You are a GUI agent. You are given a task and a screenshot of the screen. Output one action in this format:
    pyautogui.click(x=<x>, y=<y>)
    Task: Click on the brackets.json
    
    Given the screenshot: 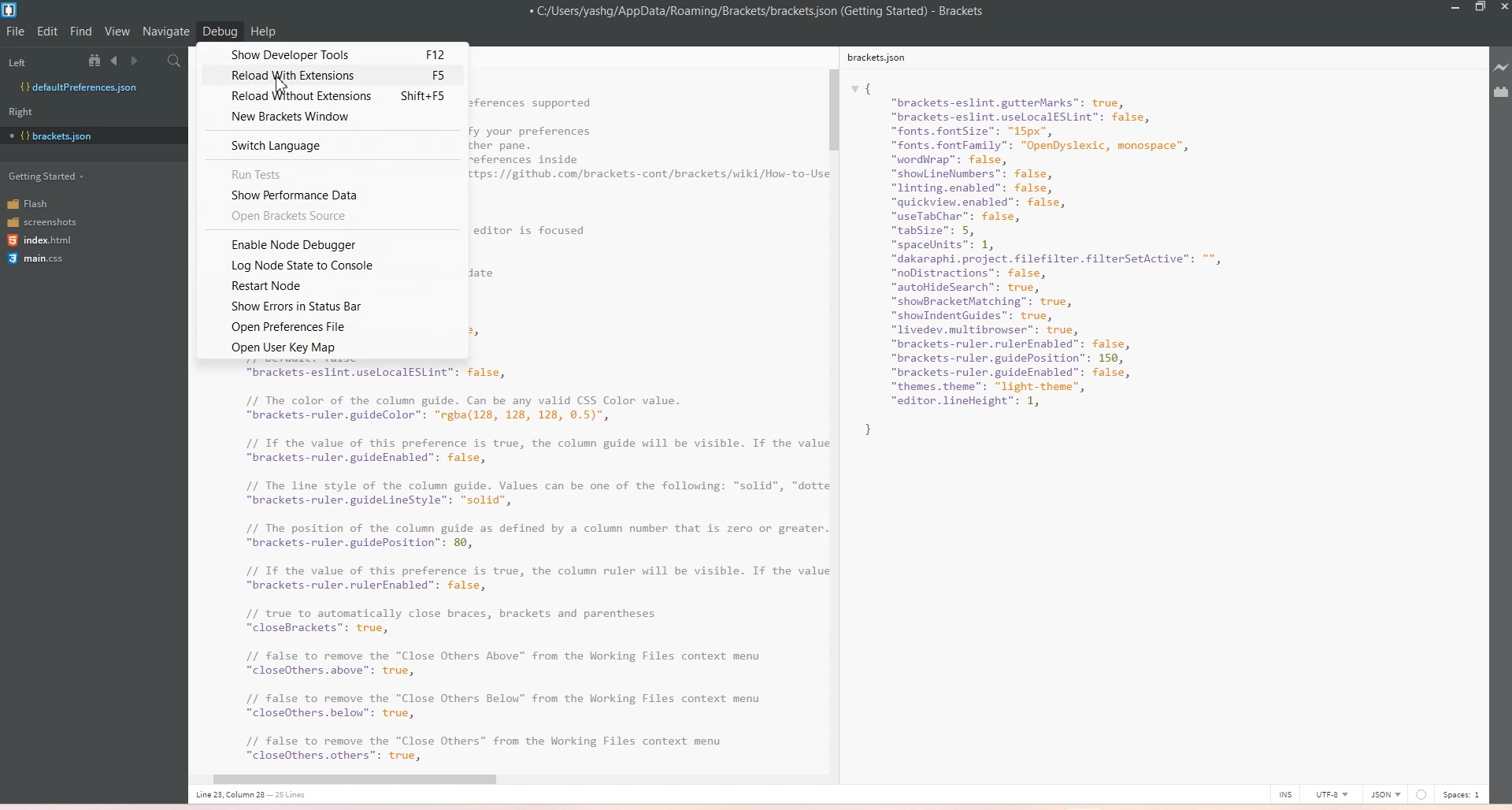 What is the action you would take?
    pyautogui.click(x=884, y=60)
    